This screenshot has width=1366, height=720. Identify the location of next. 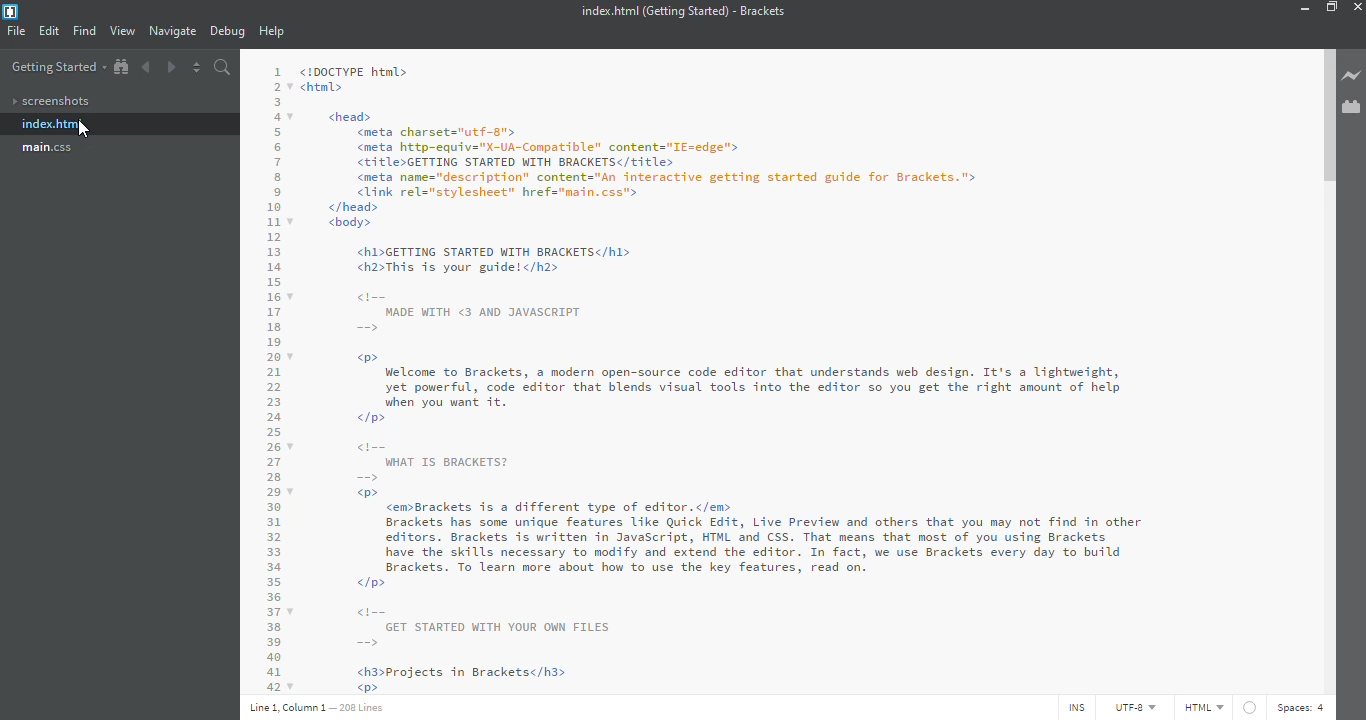
(170, 65).